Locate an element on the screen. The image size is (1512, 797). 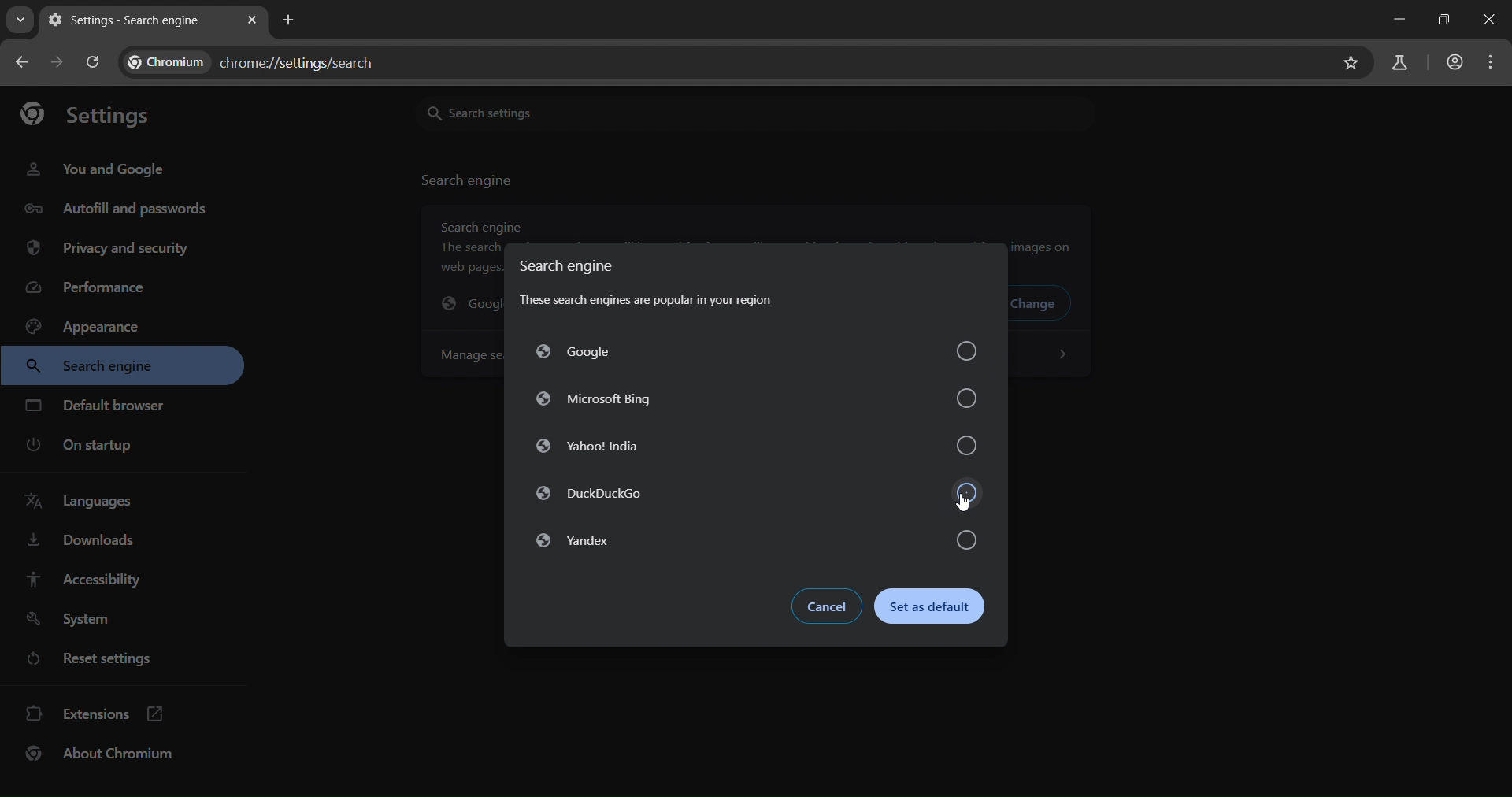
about chromuim is located at coordinates (104, 757).